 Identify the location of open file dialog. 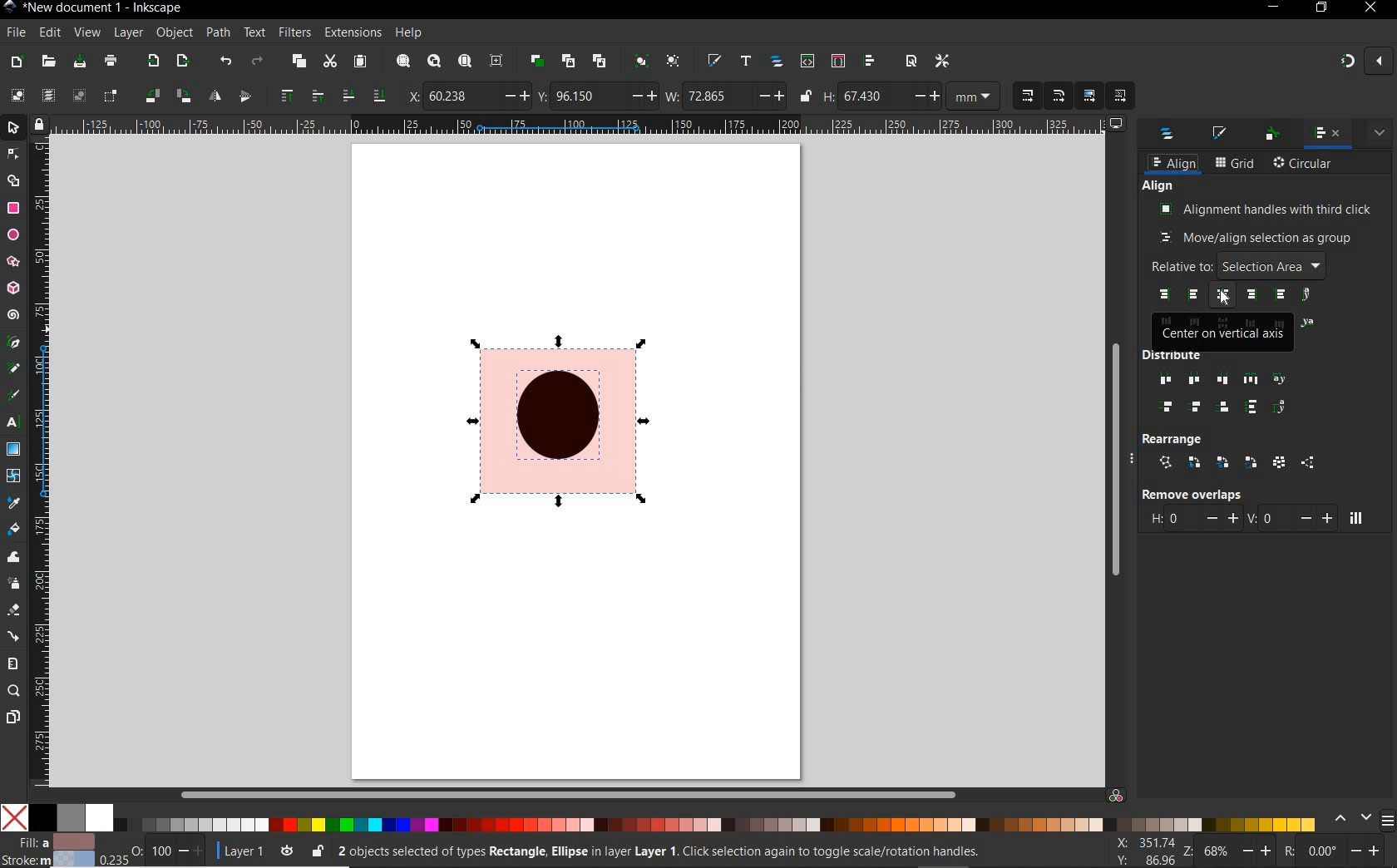
(49, 62).